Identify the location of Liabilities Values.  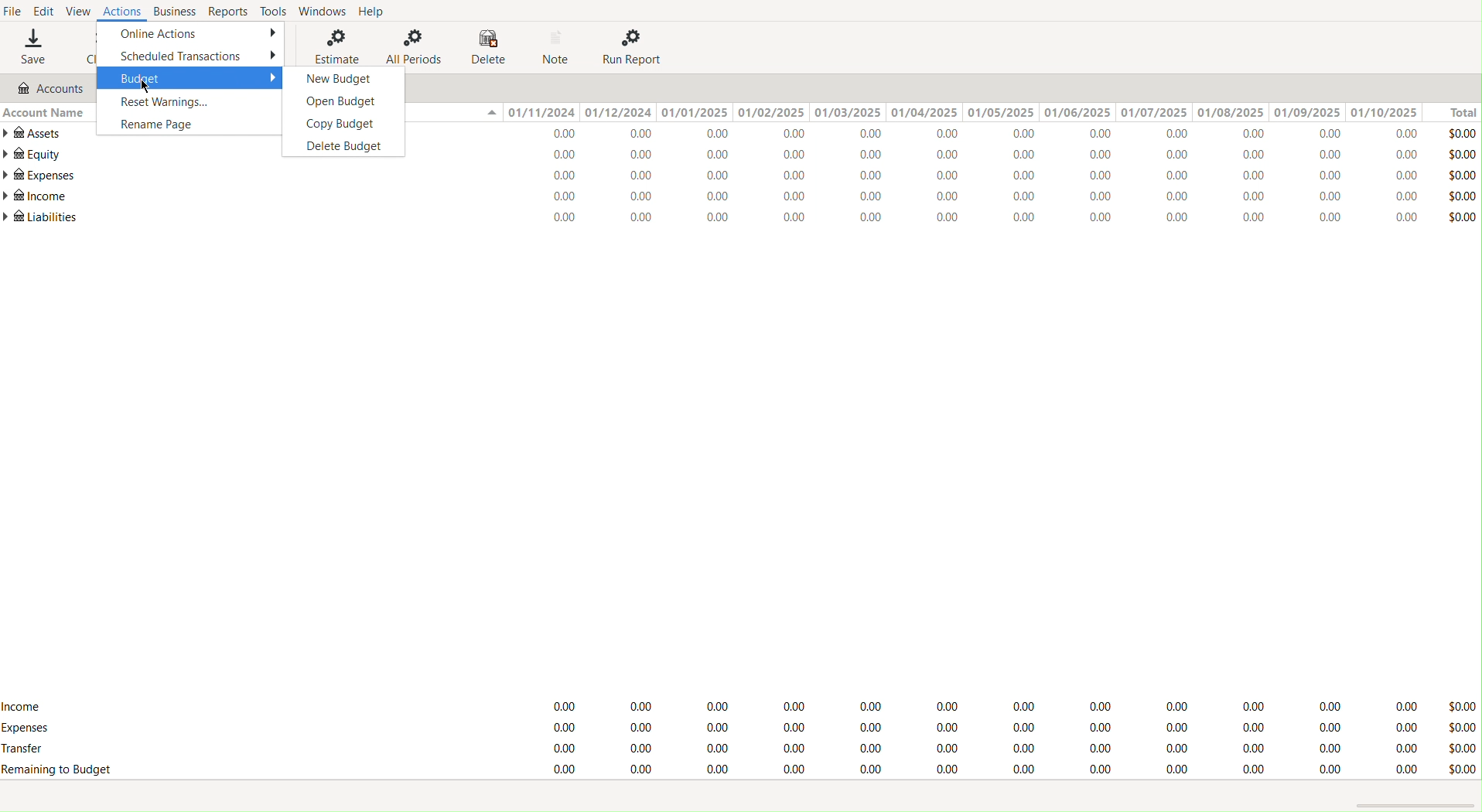
(982, 218).